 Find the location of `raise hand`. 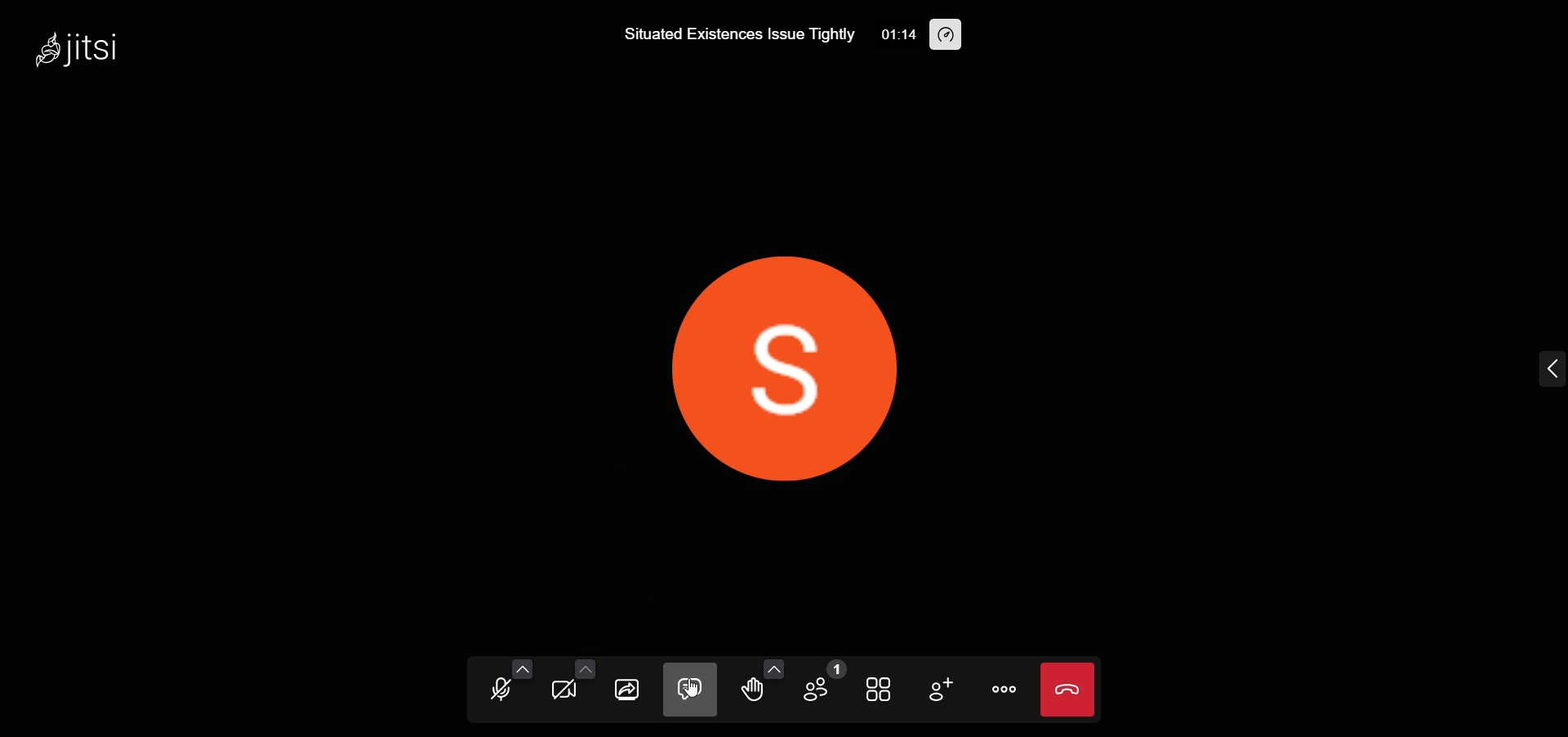

raise hand is located at coordinates (755, 693).